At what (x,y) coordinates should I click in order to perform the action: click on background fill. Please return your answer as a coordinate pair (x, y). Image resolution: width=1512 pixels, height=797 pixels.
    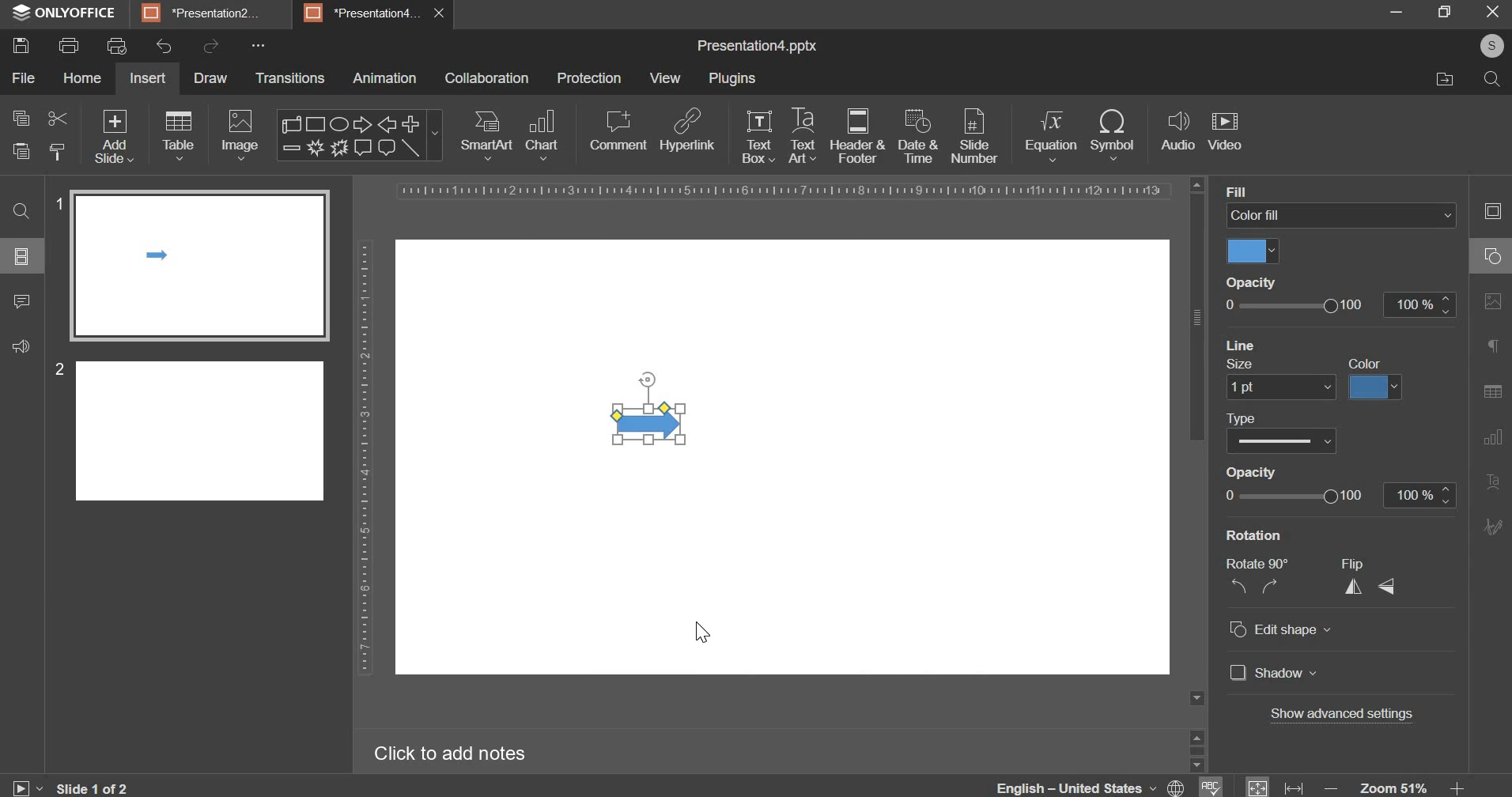
    Looking at the image, I should click on (1343, 214).